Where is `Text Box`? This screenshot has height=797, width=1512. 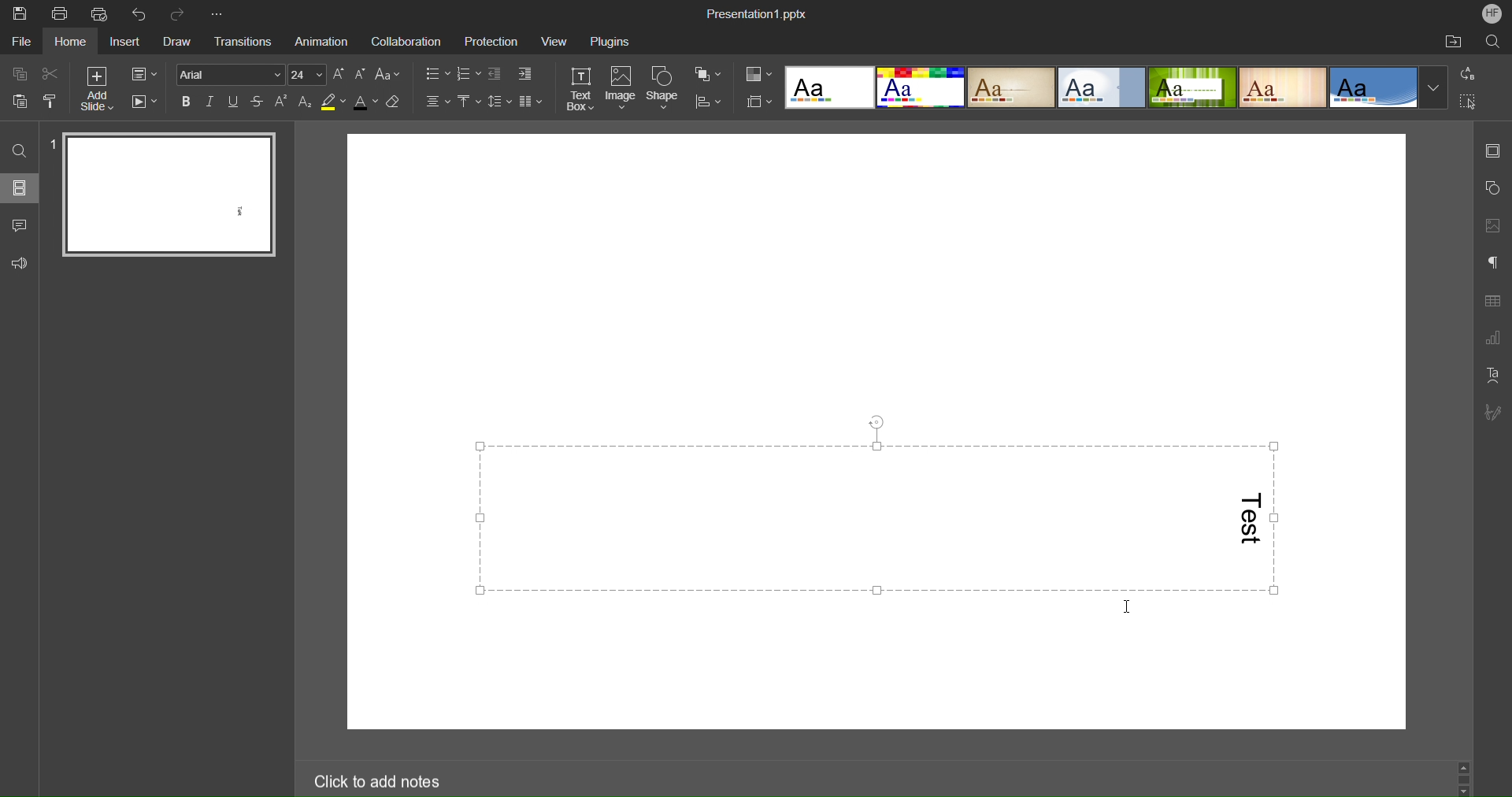
Text Box is located at coordinates (580, 88).